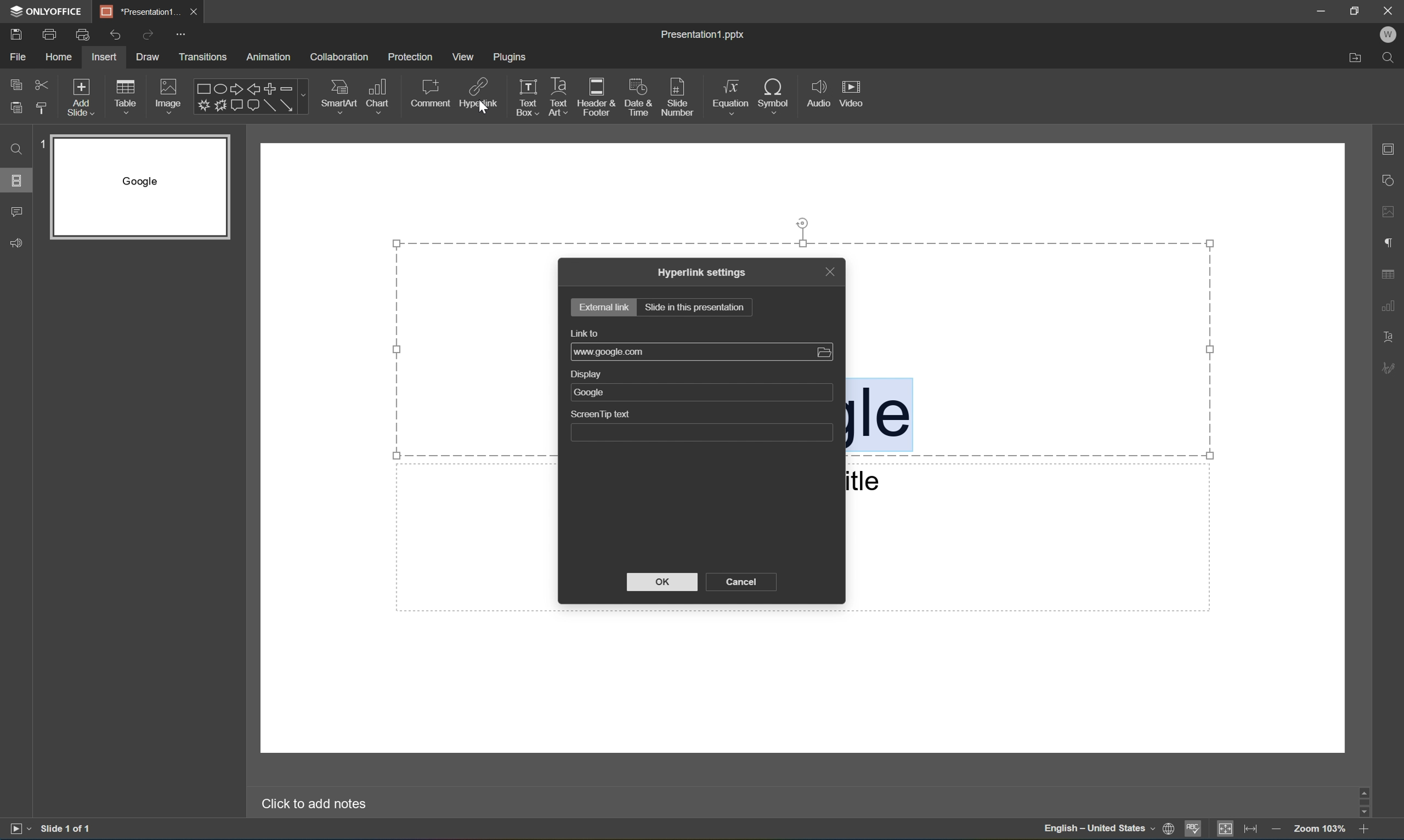 This screenshot has height=840, width=1404. I want to click on Symbol, so click(778, 95).